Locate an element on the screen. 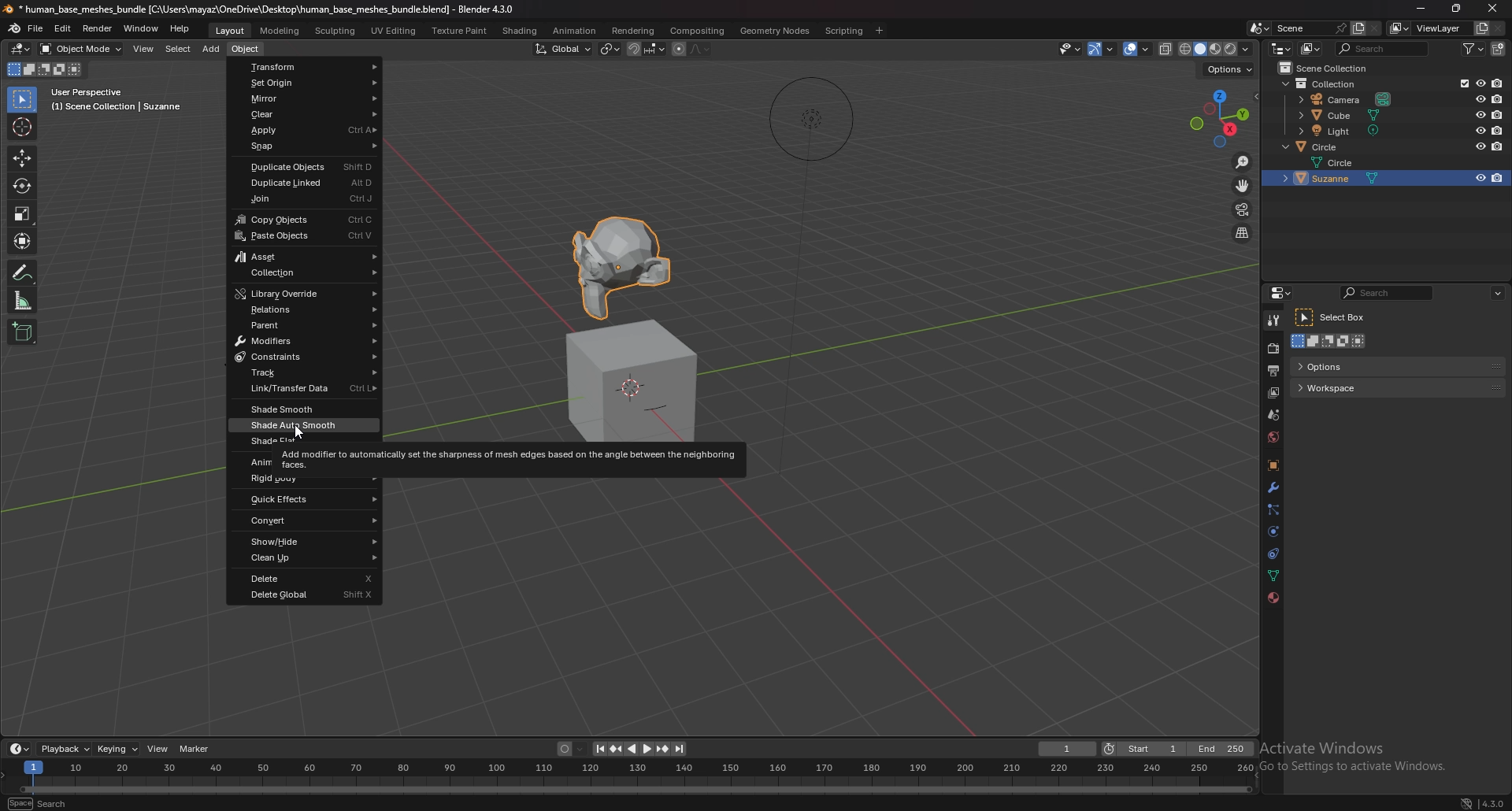 This screenshot has width=1512, height=811. add view layer is located at coordinates (1481, 27).